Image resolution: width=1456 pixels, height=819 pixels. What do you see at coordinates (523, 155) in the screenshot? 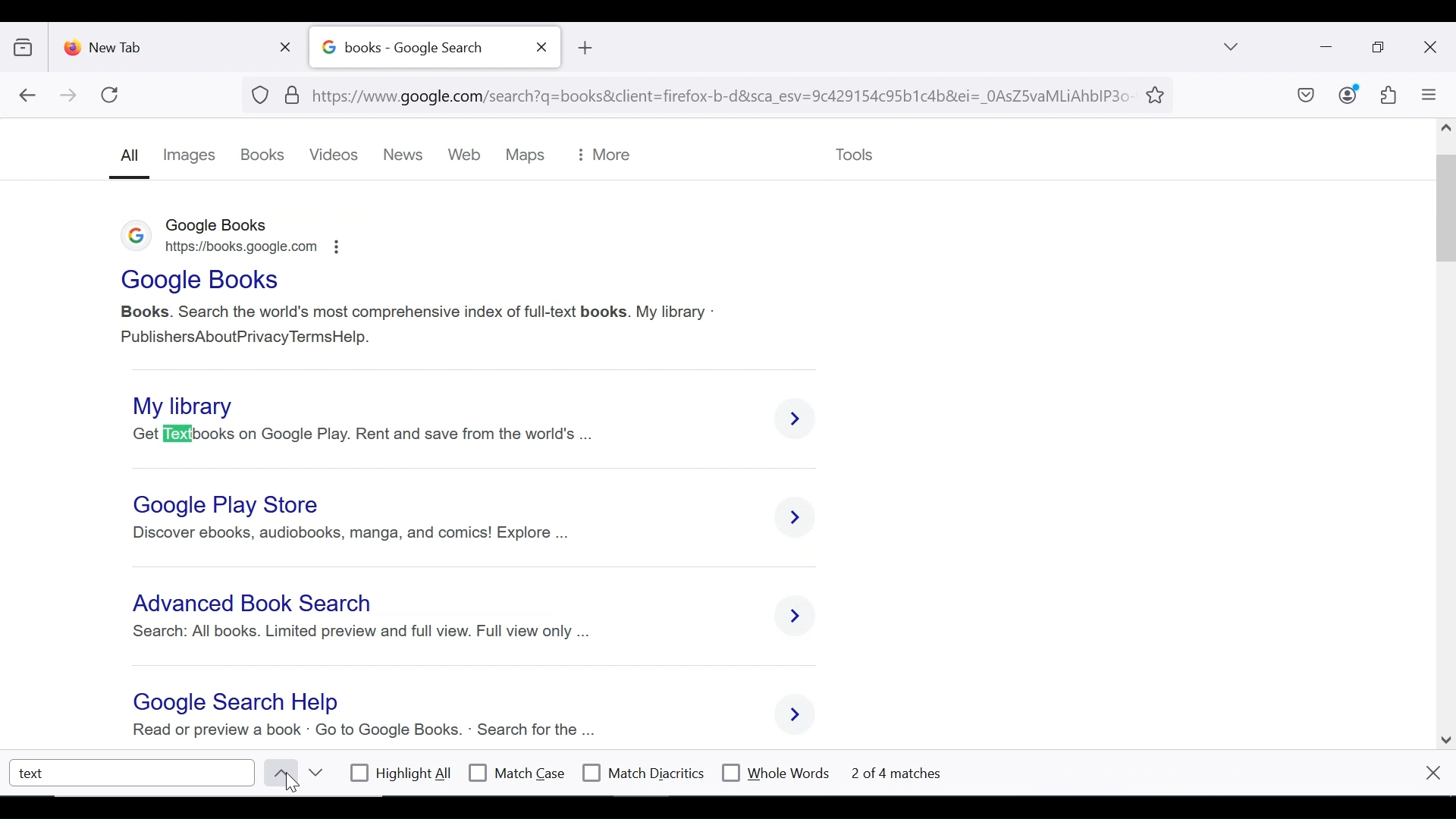
I see `maps` at bounding box center [523, 155].